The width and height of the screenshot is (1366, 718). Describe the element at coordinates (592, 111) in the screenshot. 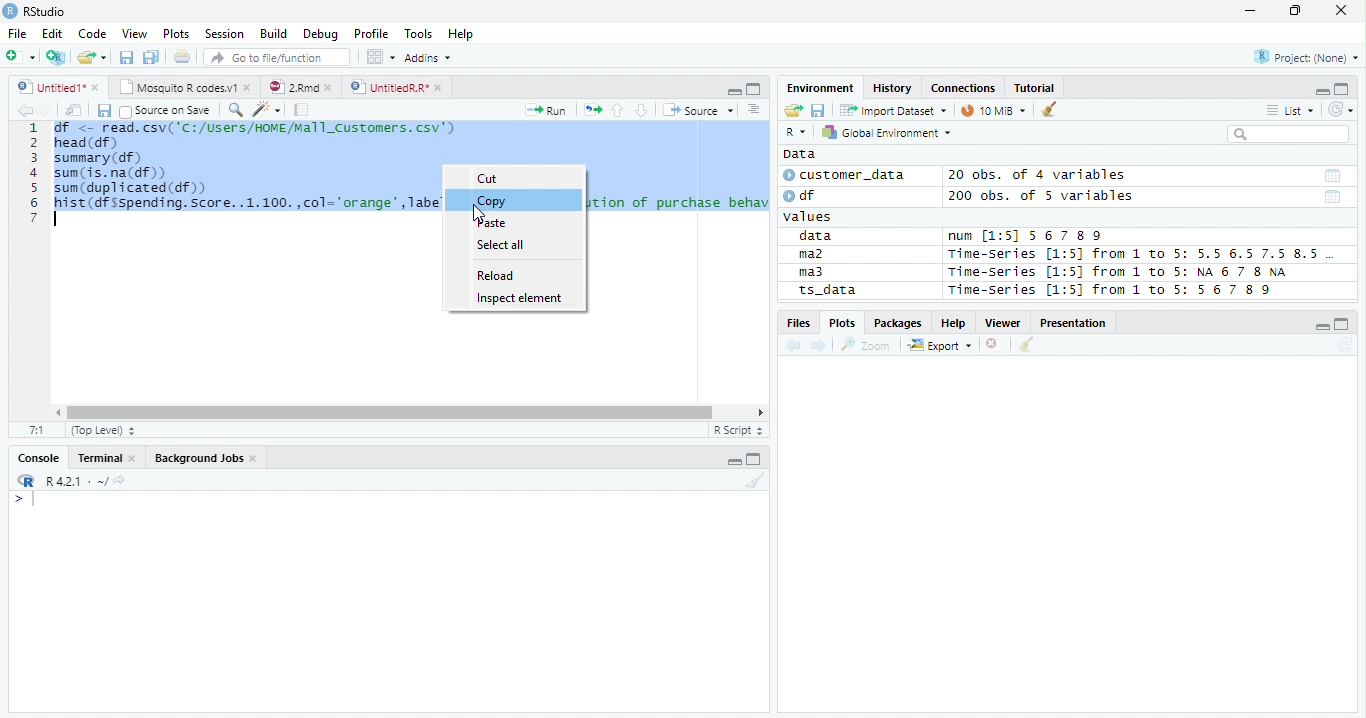

I see `Re-run` at that location.